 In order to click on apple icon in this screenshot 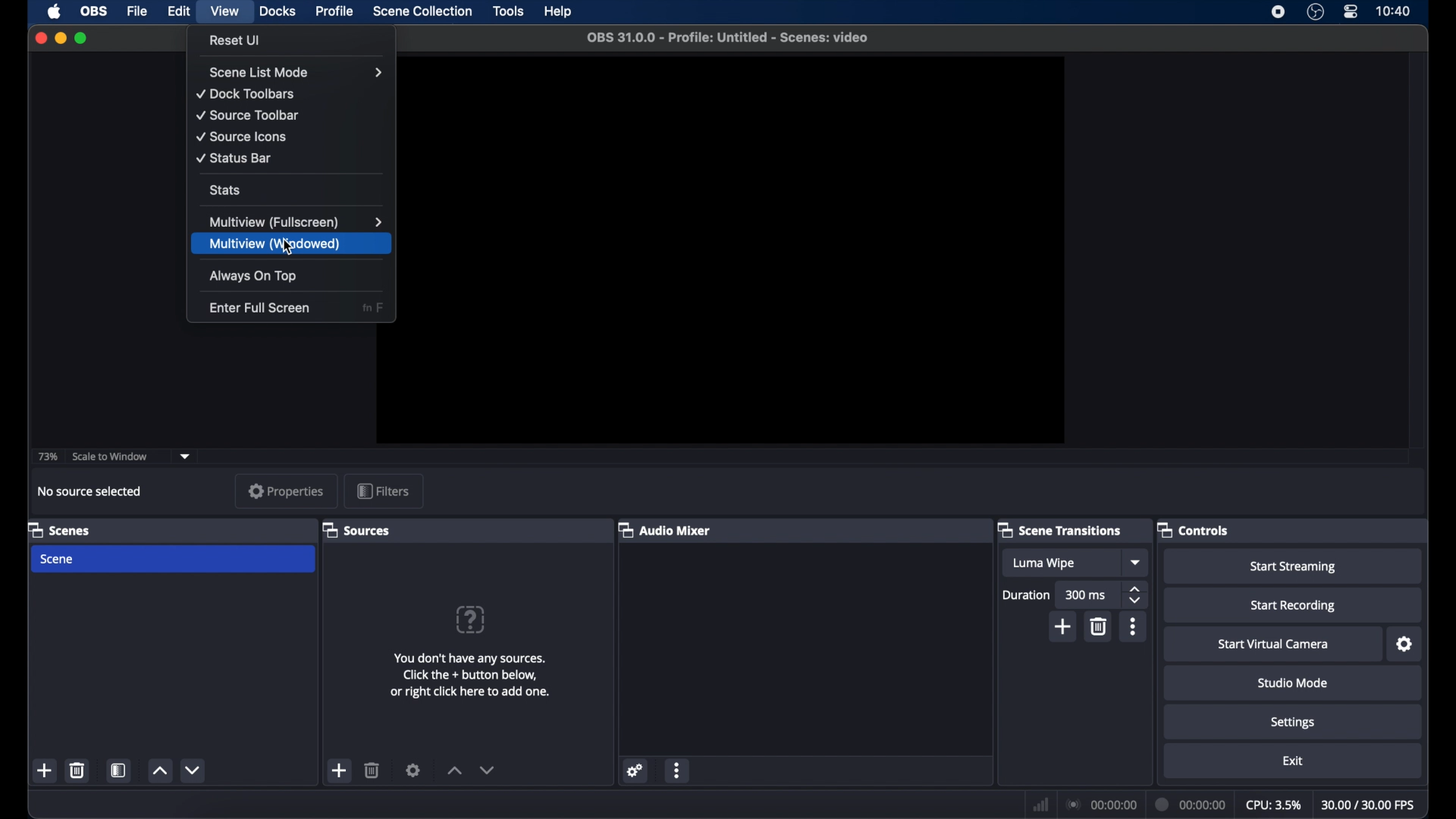, I will do `click(55, 11)`.